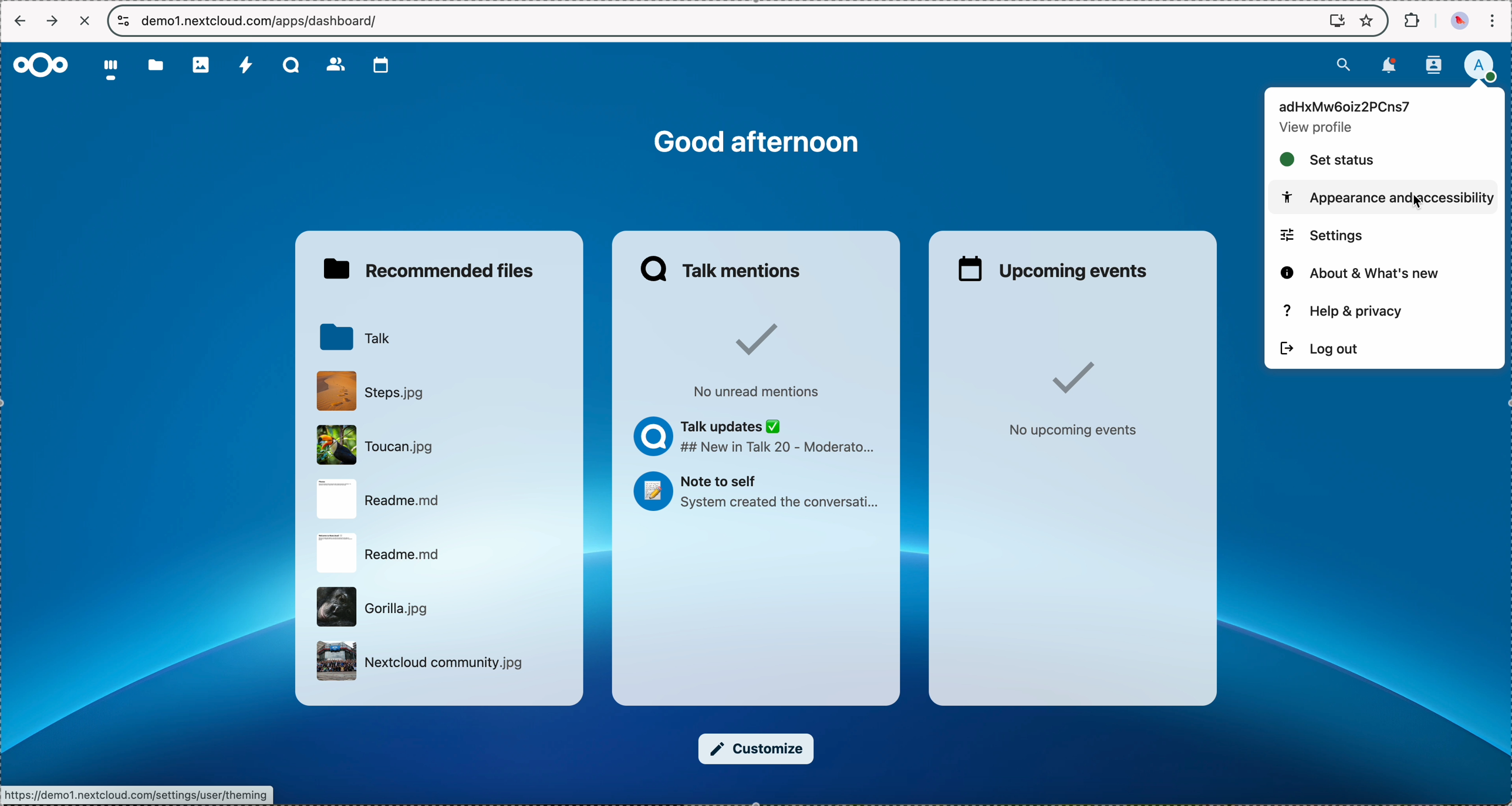 The image size is (1512, 806). Describe the element at coordinates (1323, 235) in the screenshot. I see `settings` at that location.